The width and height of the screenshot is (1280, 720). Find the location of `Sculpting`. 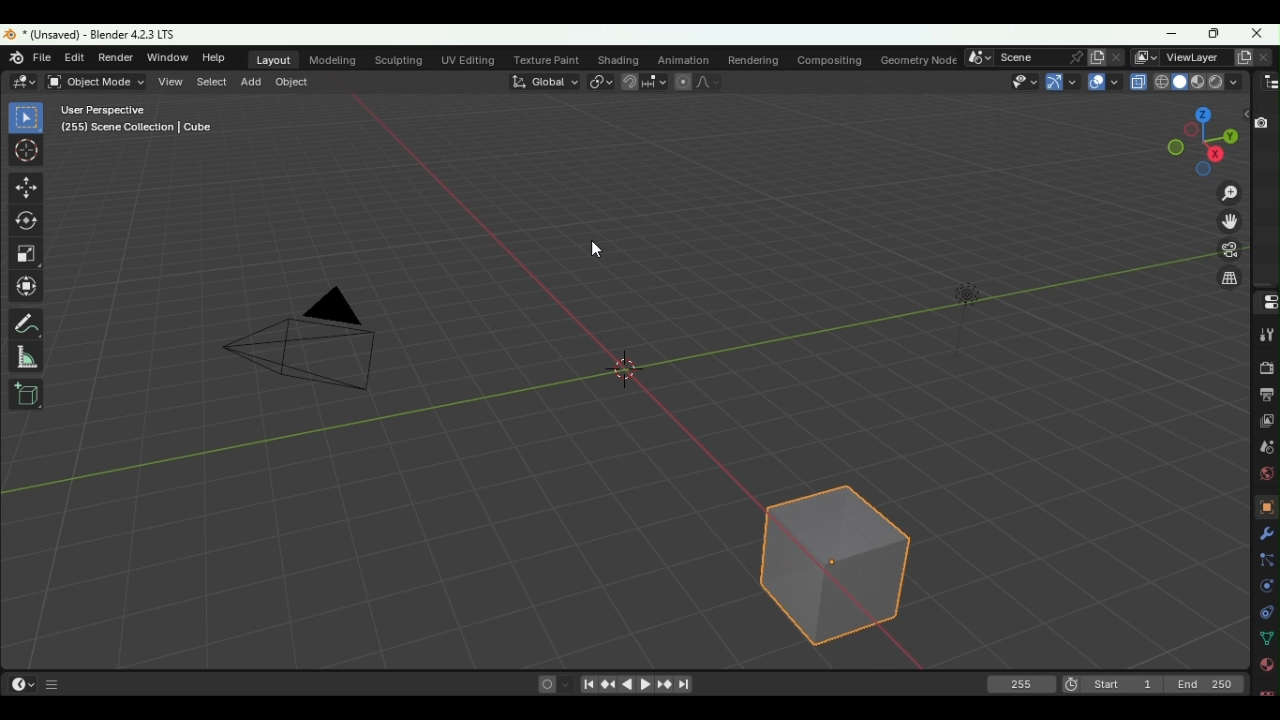

Sculpting is located at coordinates (402, 60).